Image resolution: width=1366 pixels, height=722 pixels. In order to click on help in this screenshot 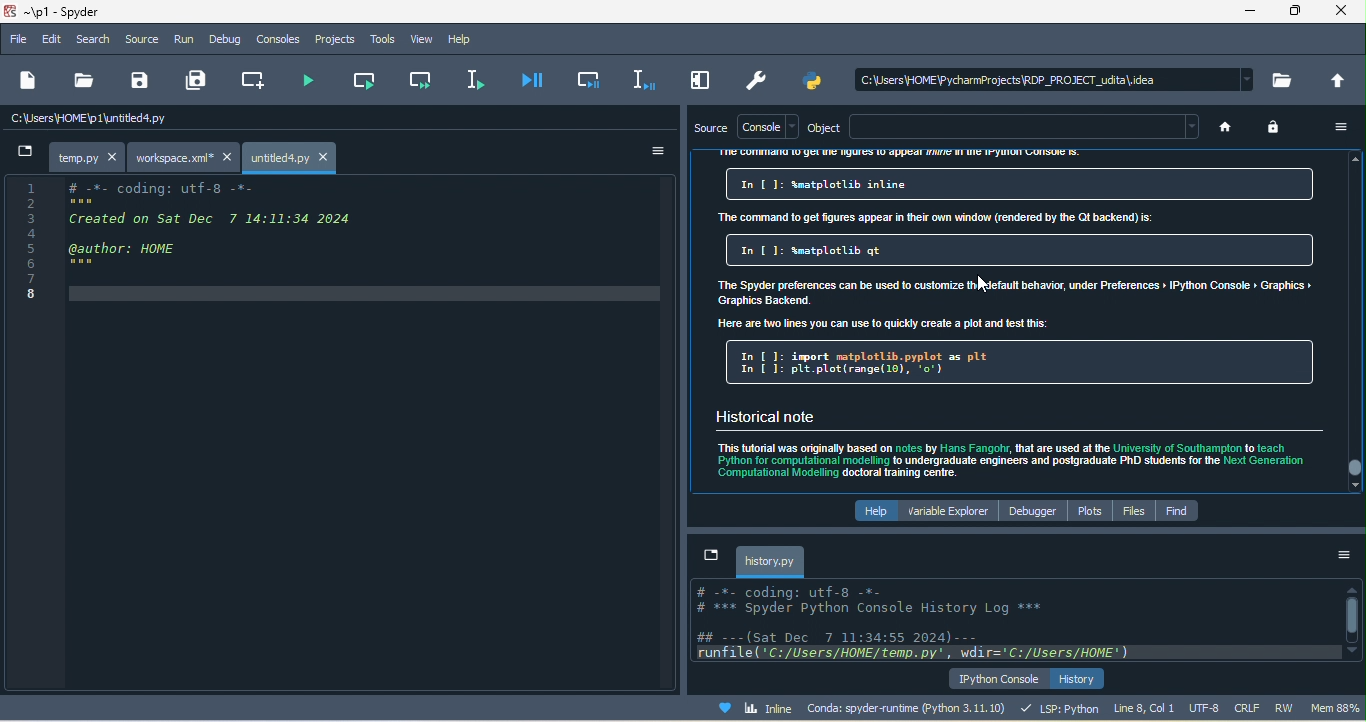, I will do `click(868, 511)`.